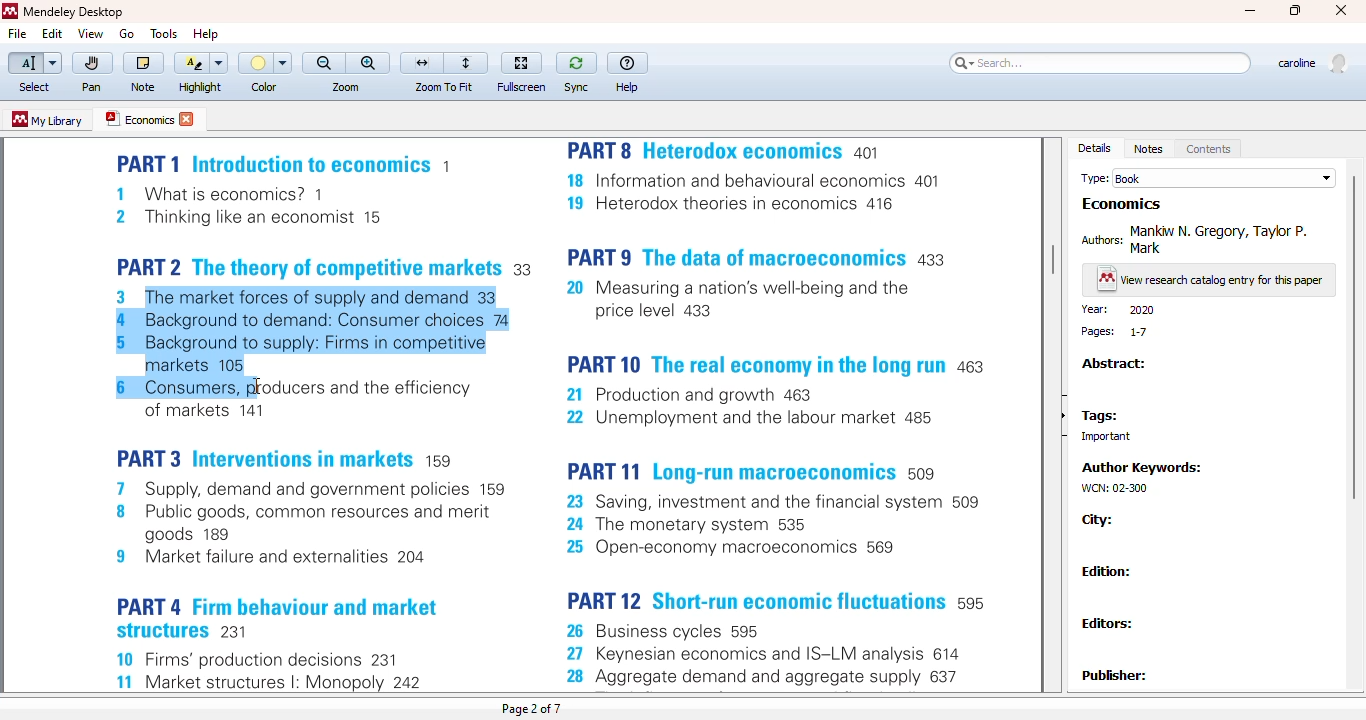 This screenshot has height=720, width=1366. What do you see at coordinates (324, 63) in the screenshot?
I see `zoom out` at bounding box center [324, 63].